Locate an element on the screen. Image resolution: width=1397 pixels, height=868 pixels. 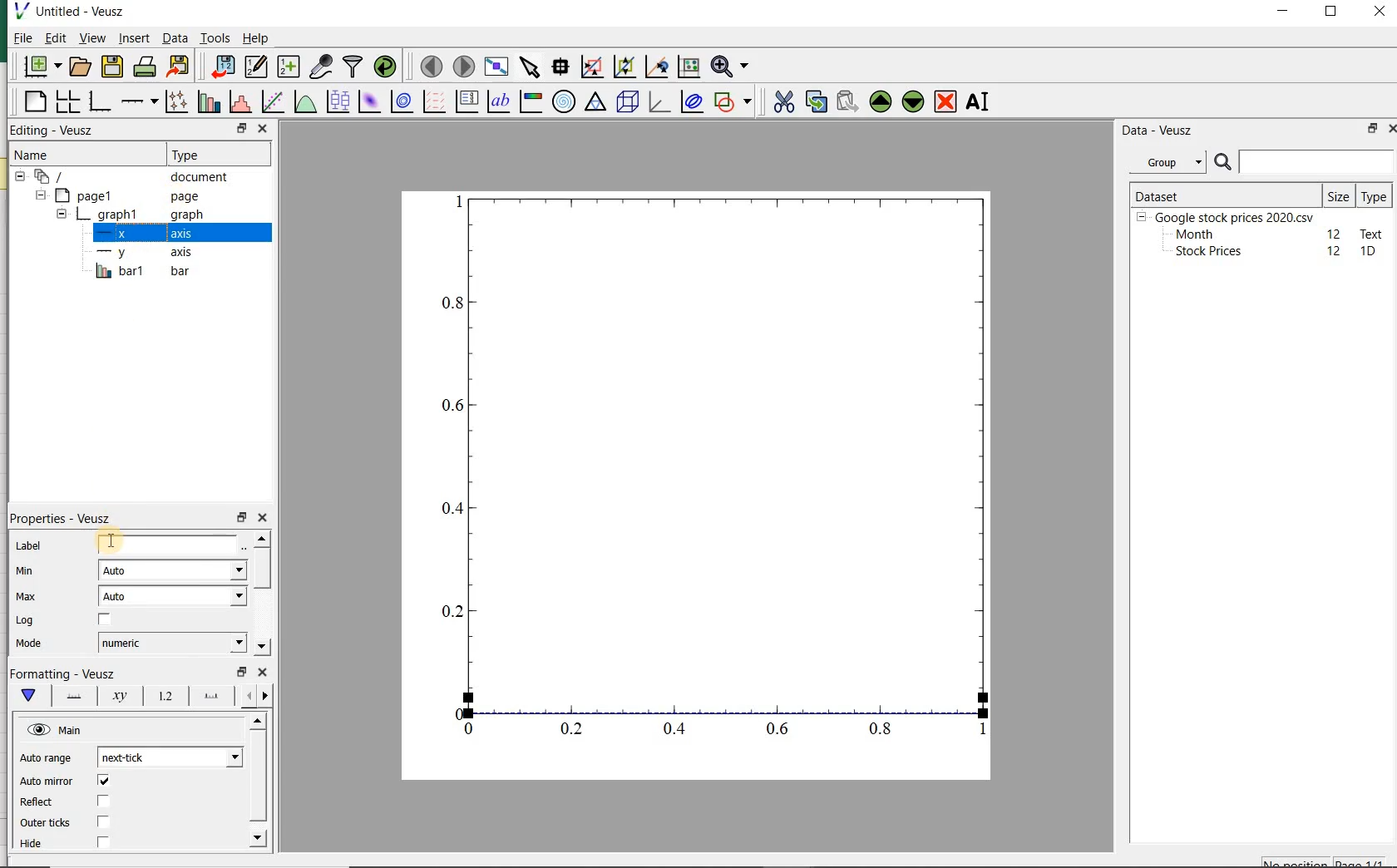
print the document is located at coordinates (145, 68).